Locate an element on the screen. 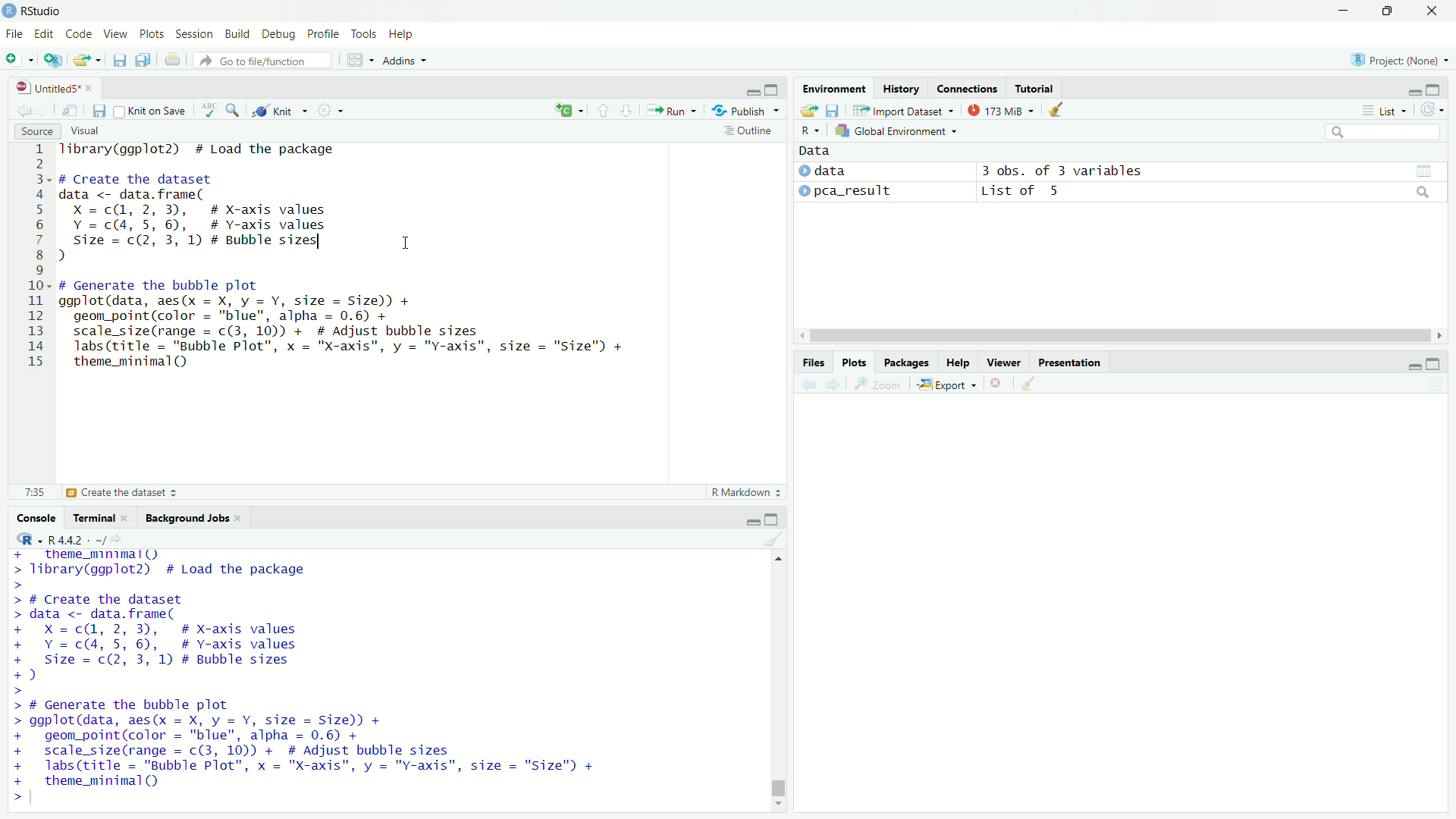 This screenshot has width=1456, height=819. logo is located at coordinates (10, 11).